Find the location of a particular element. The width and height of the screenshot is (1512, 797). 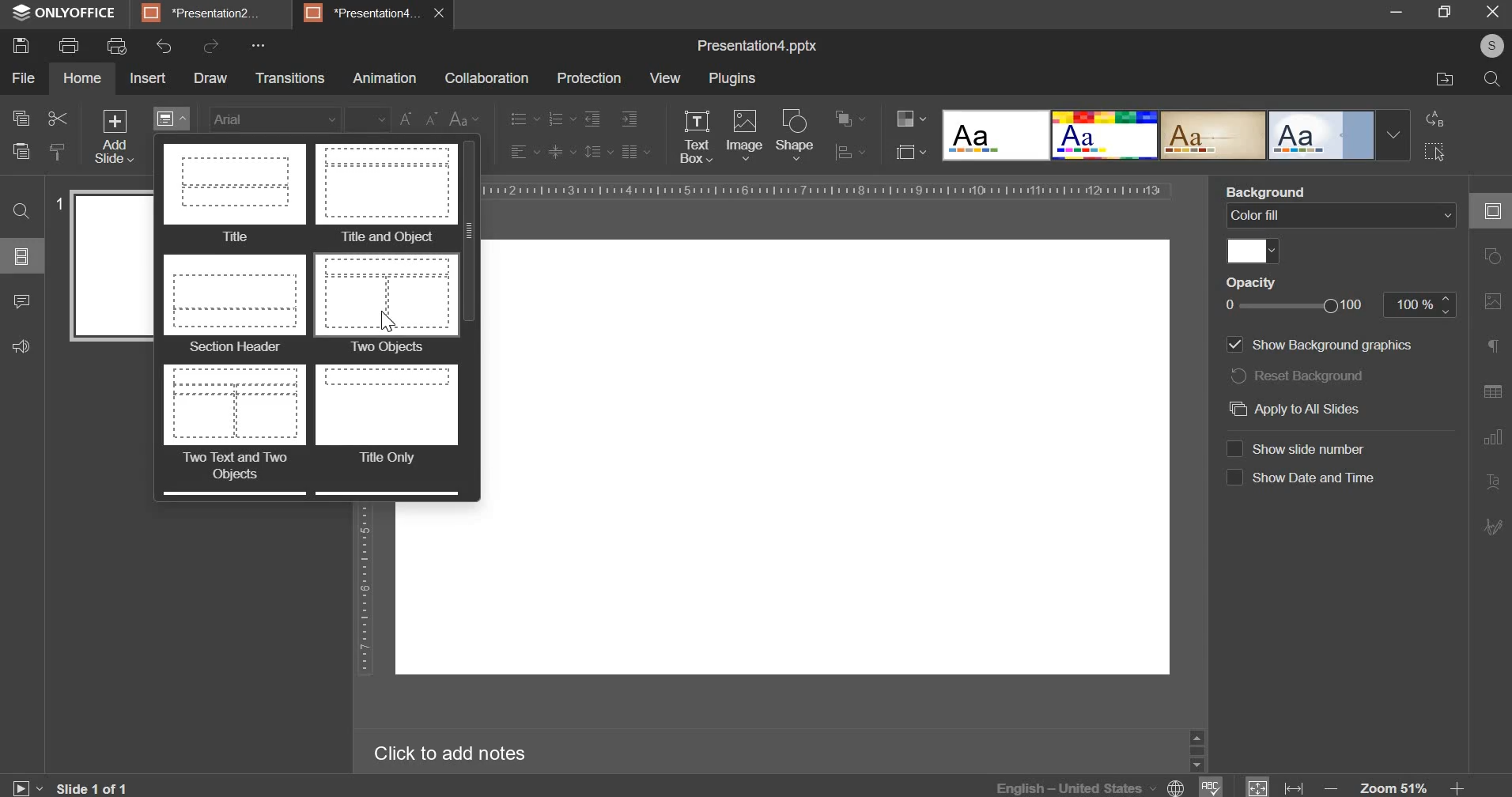

select slide size is located at coordinates (907, 151).